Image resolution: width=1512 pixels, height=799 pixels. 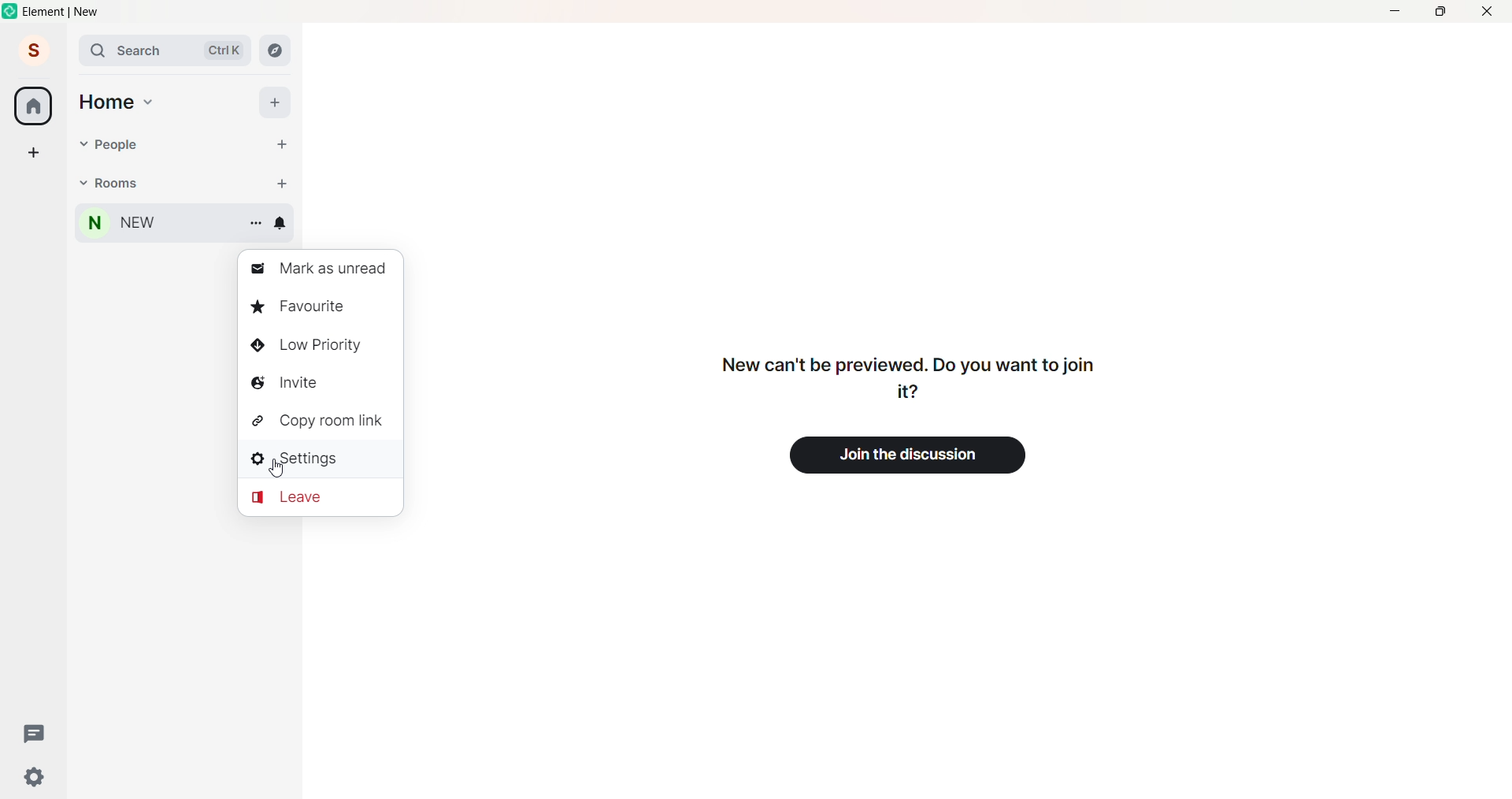 I want to click on start chat, so click(x=272, y=142).